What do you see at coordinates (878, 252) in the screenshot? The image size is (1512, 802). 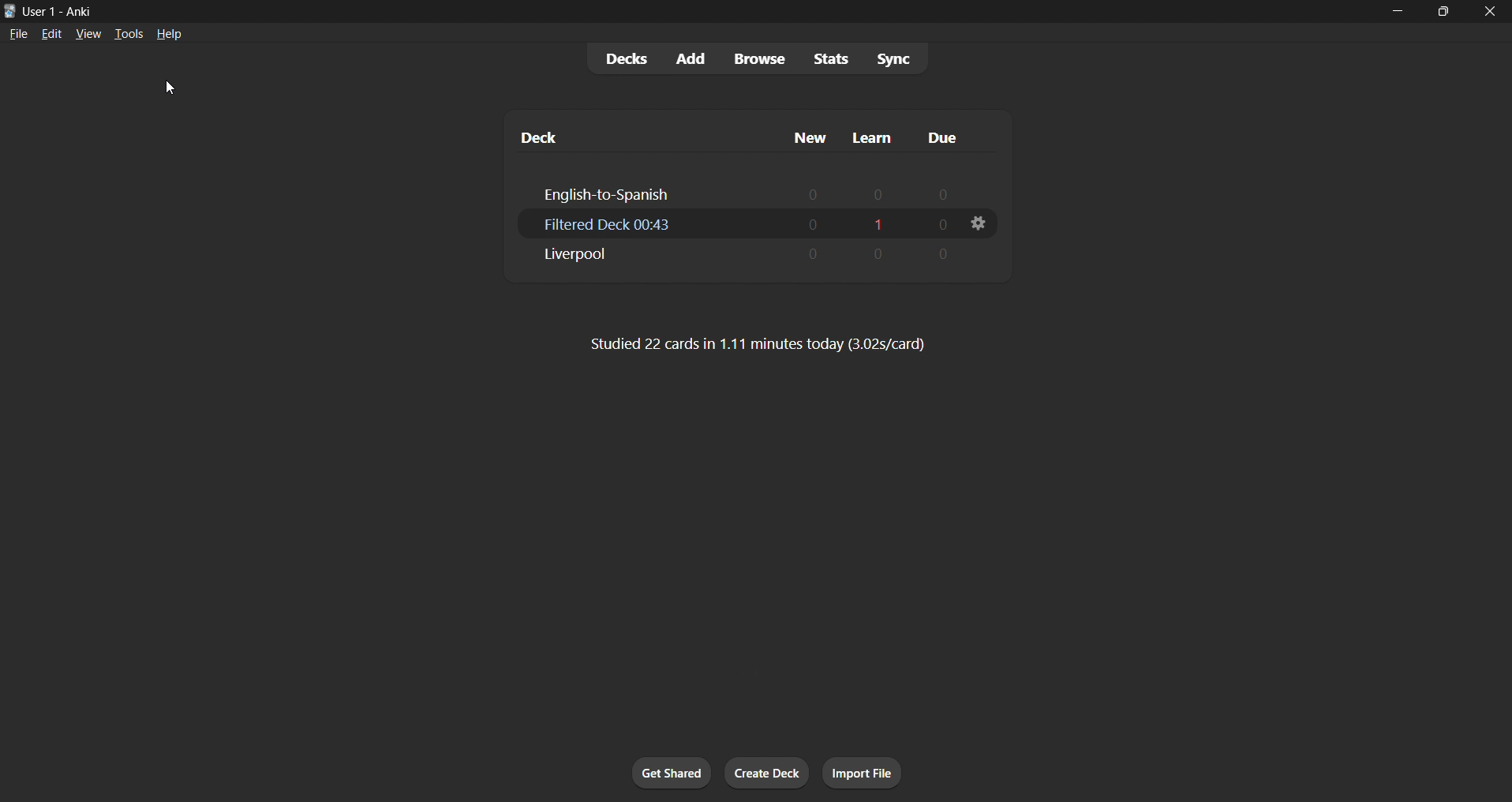 I see `[4` at bounding box center [878, 252].